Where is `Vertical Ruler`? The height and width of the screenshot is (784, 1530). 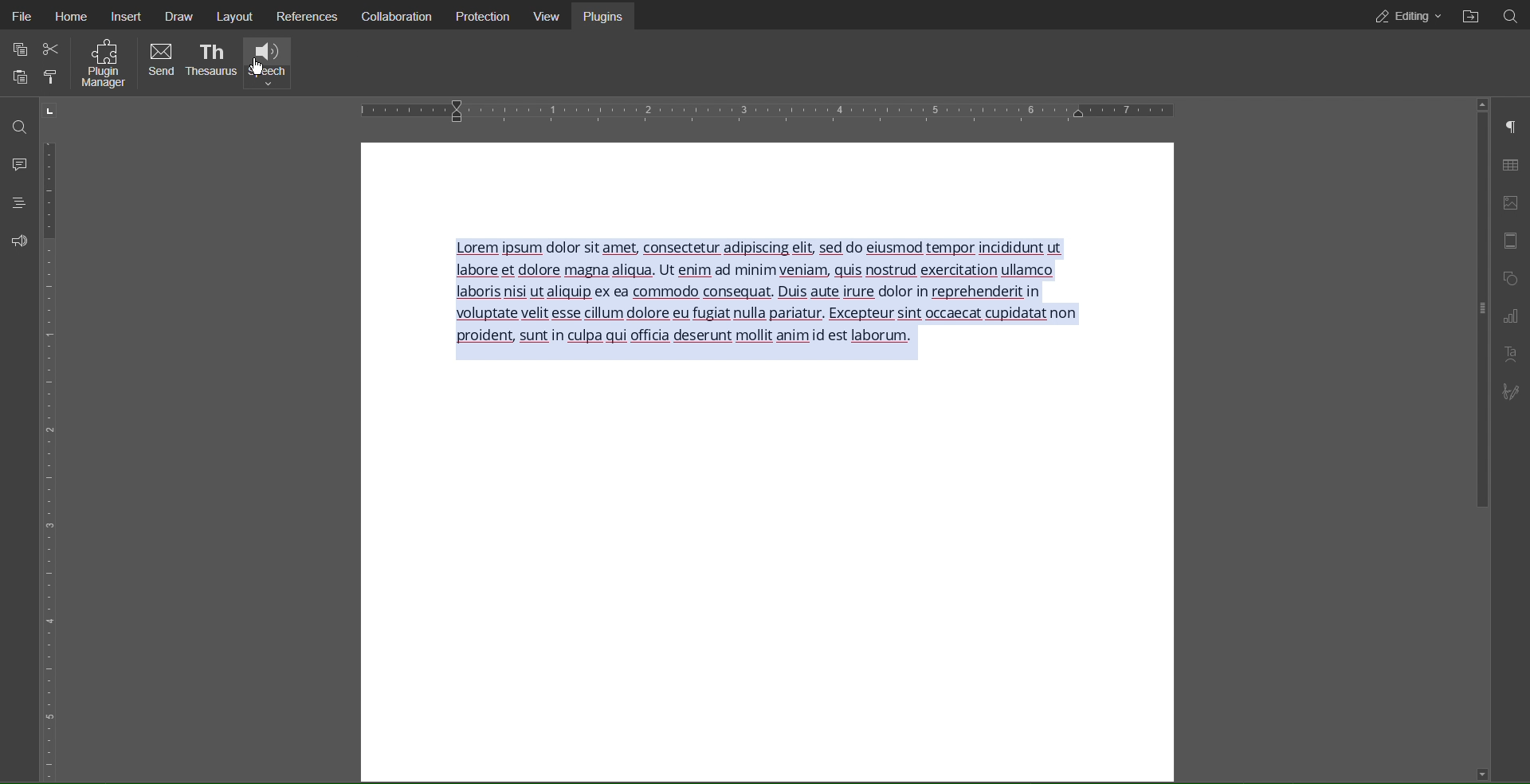 Vertical Ruler is located at coordinates (51, 455).